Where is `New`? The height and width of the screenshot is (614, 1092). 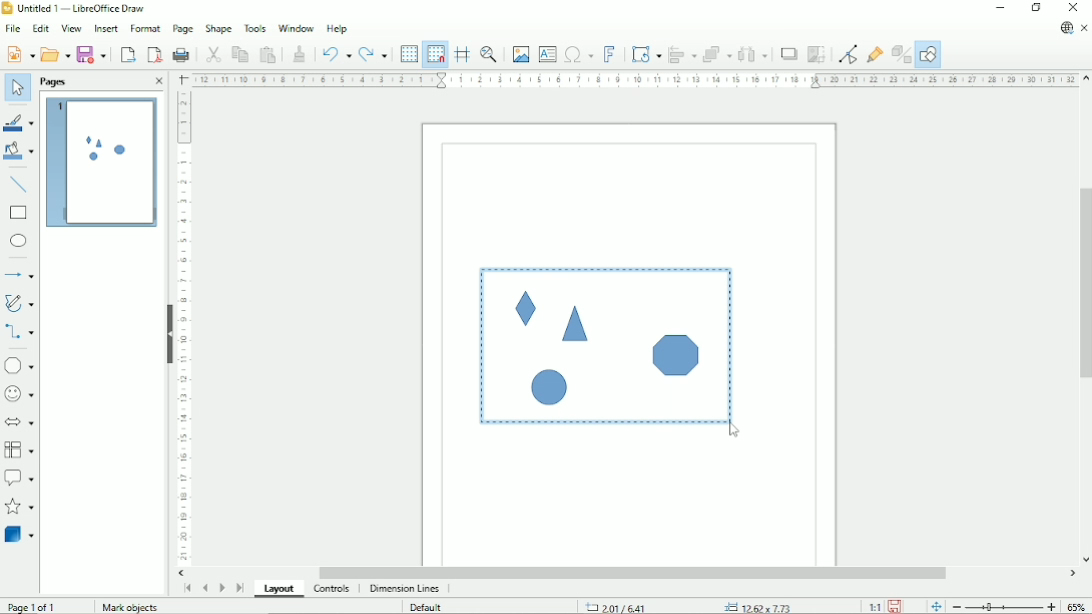
New is located at coordinates (20, 53).